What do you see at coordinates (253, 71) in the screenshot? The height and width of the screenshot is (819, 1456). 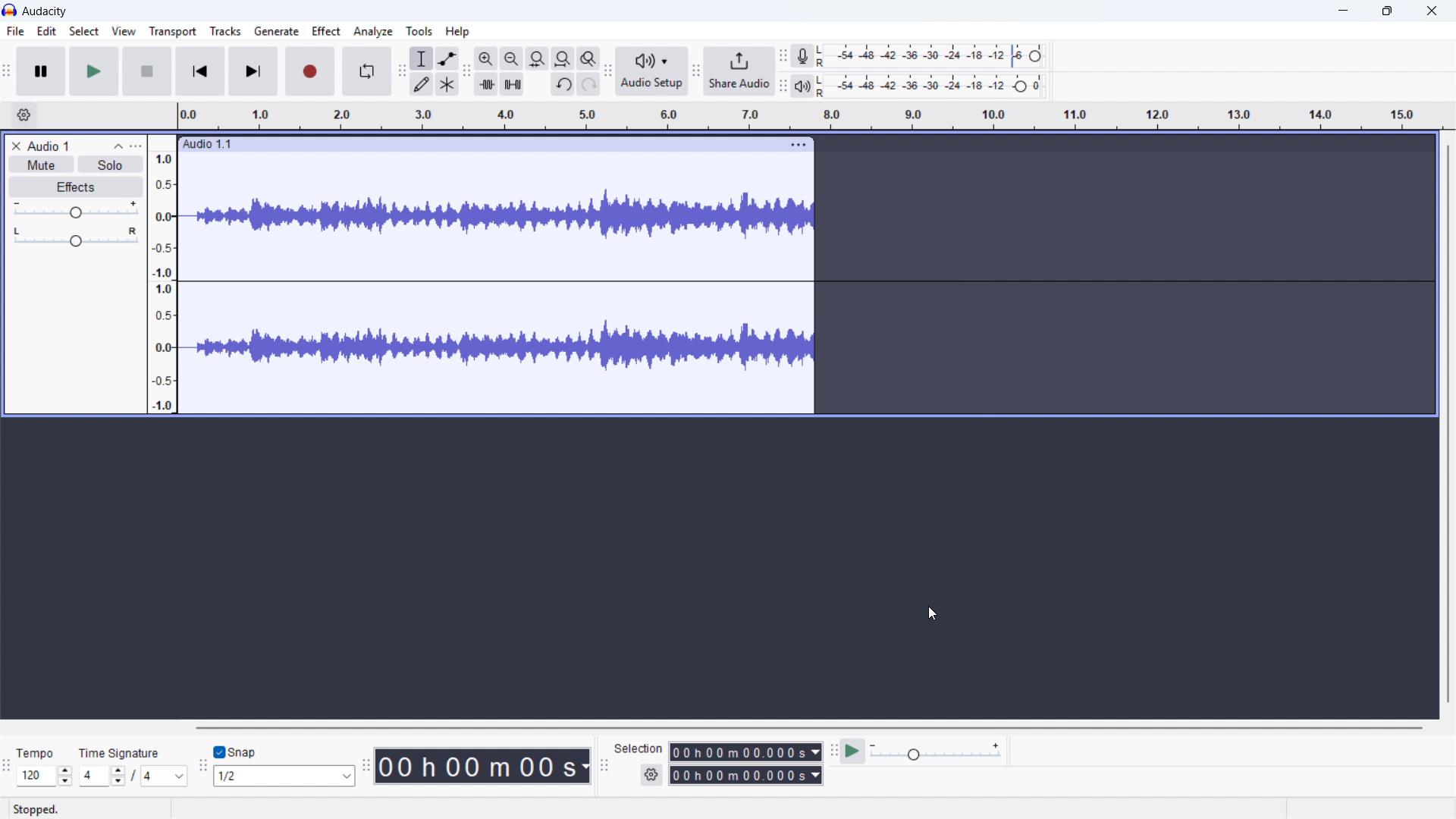 I see `Skip to last ` at bounding box center [253, 71].